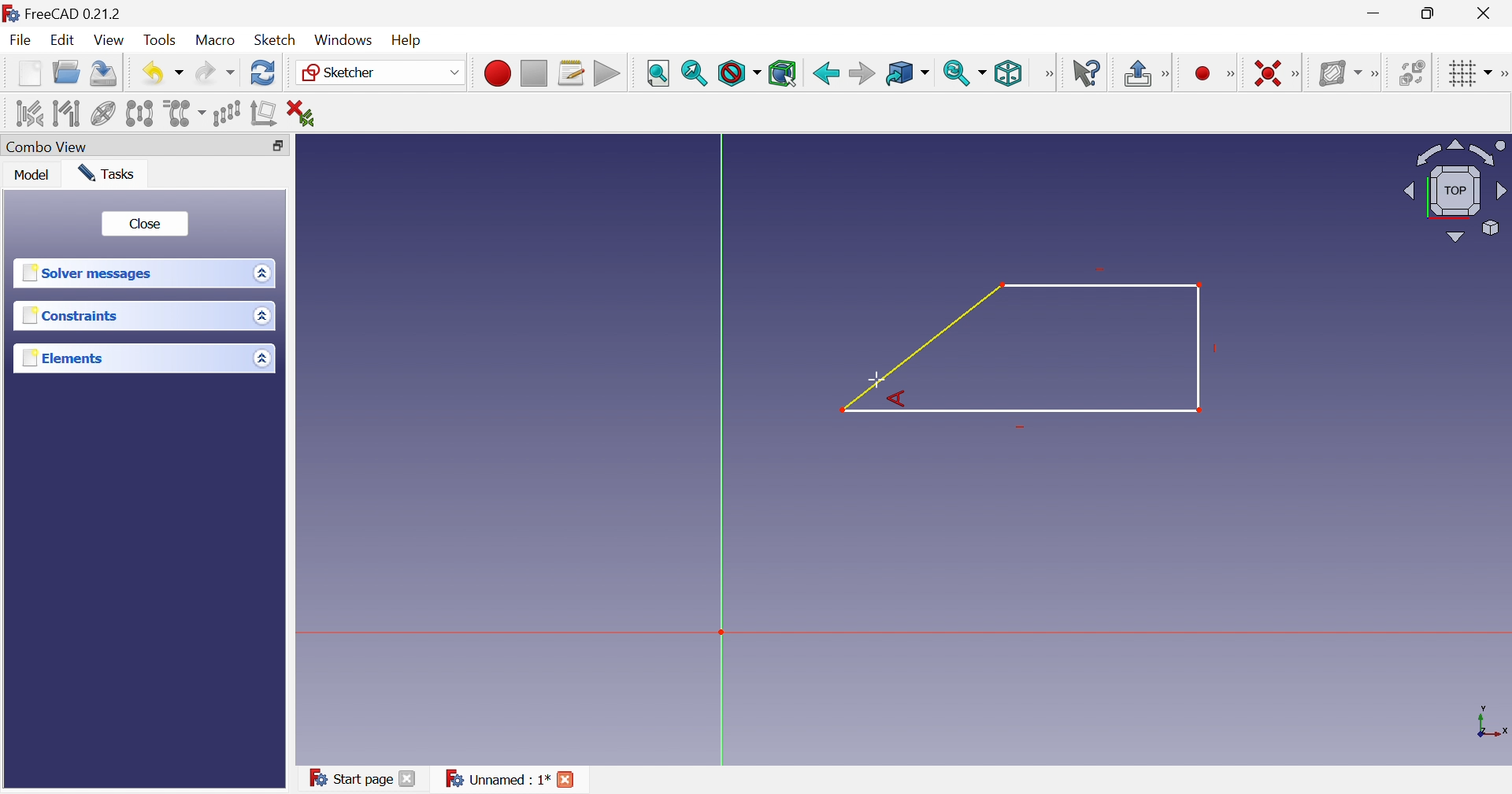  Describe the element at coordinates (61, 358) in the screenshot. I see `Elements` at that location.